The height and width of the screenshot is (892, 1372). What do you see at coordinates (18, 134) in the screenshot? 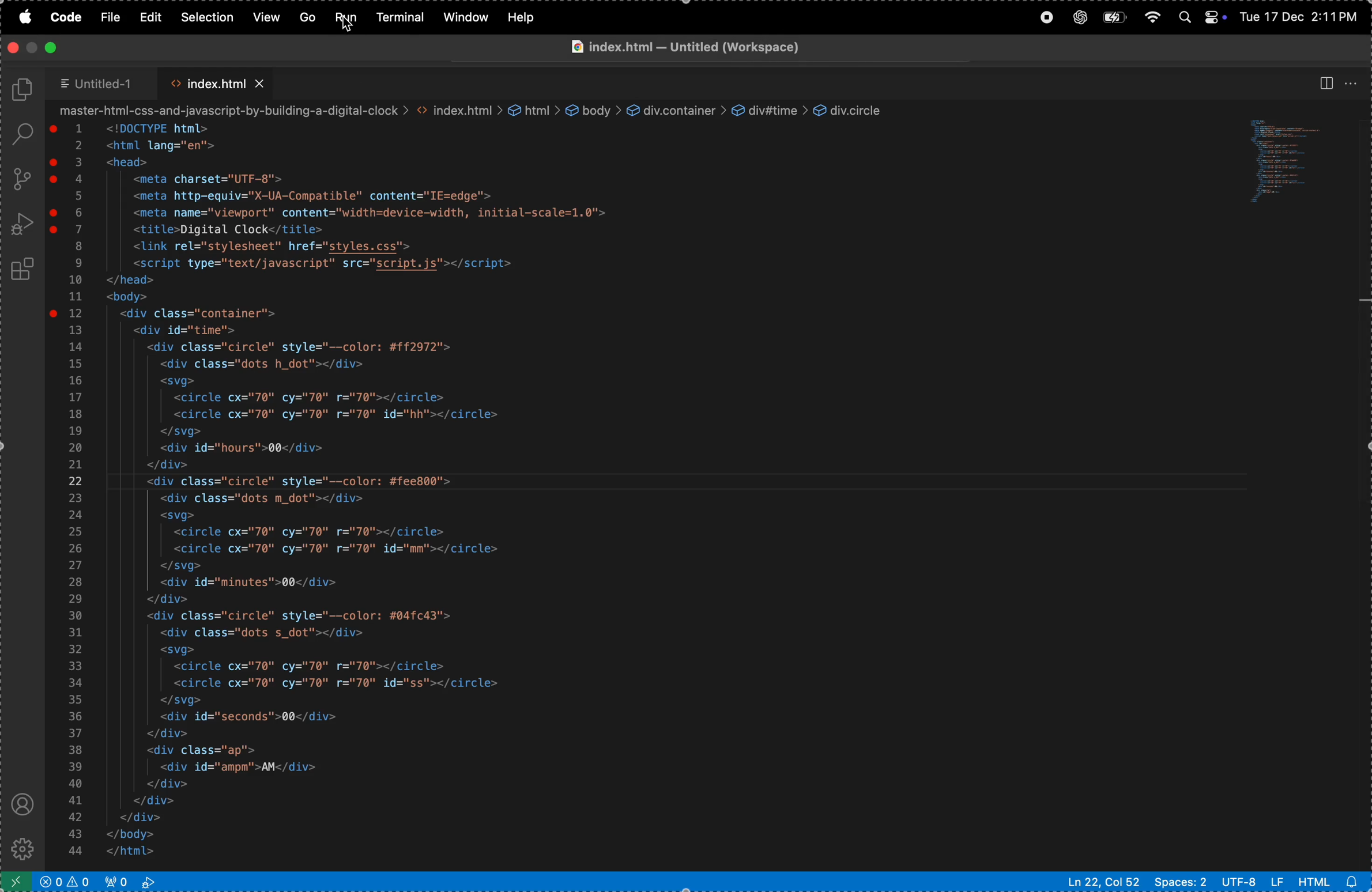
I see `search` at bounding box center [18, 134].